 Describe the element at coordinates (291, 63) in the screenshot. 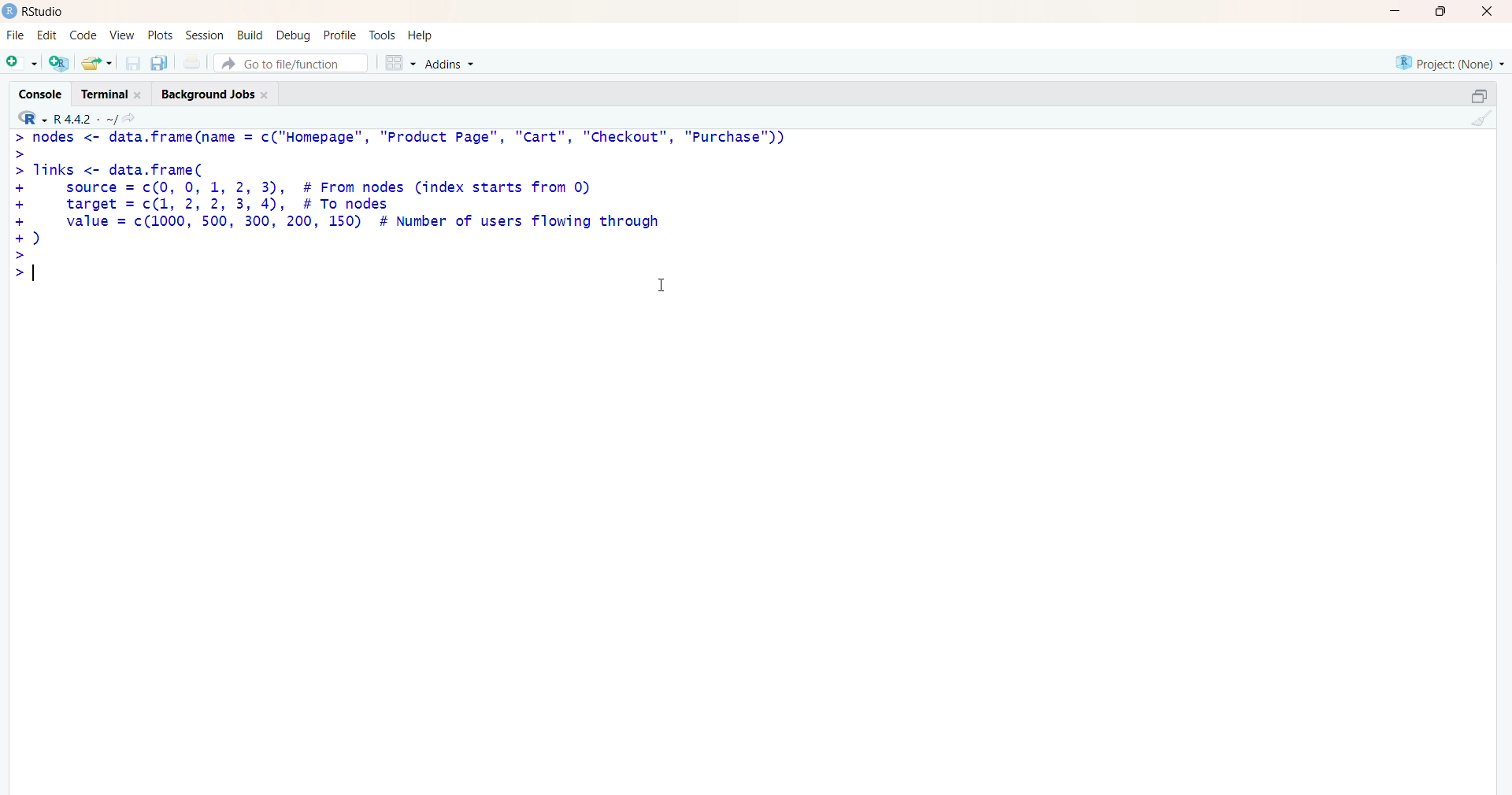

I see `go to file function` at that location.